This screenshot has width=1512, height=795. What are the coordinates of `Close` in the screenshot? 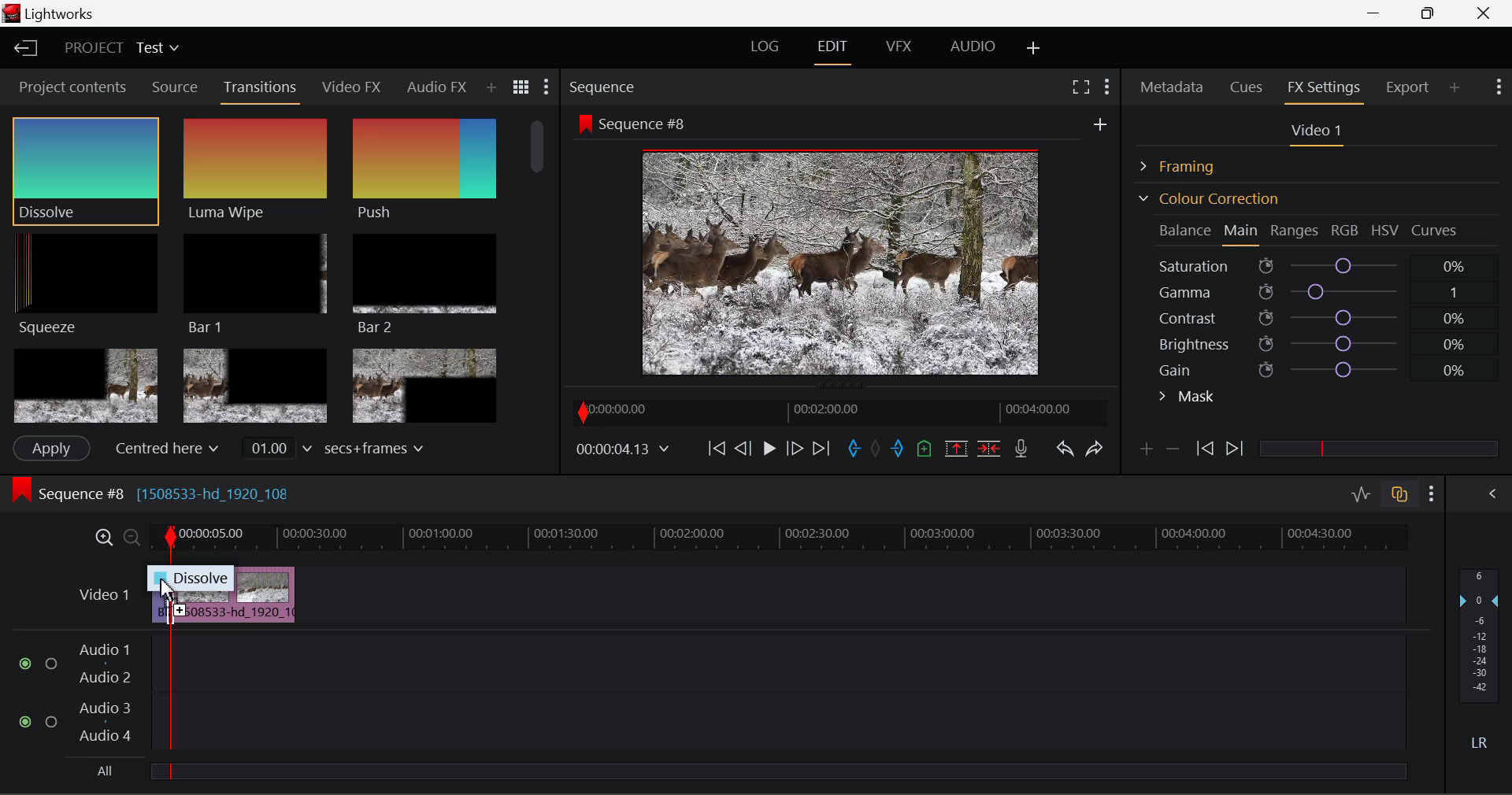 It's located at (1487, 13).